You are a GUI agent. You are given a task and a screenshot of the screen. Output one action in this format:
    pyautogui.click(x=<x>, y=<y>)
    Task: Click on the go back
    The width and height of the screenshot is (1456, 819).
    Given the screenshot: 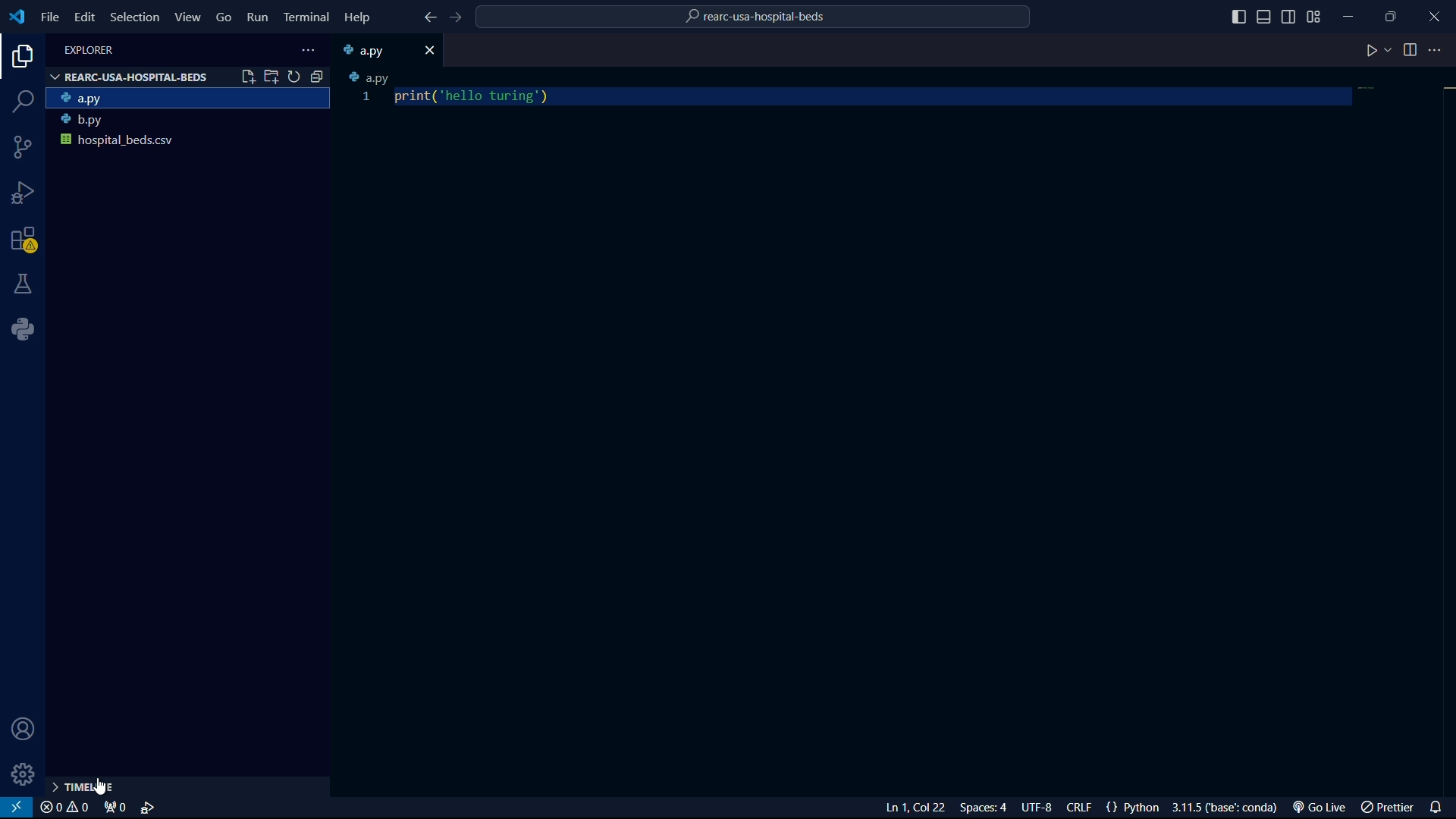 What is the action you would take?
    pyautogui.click(x=427, y=17)
    